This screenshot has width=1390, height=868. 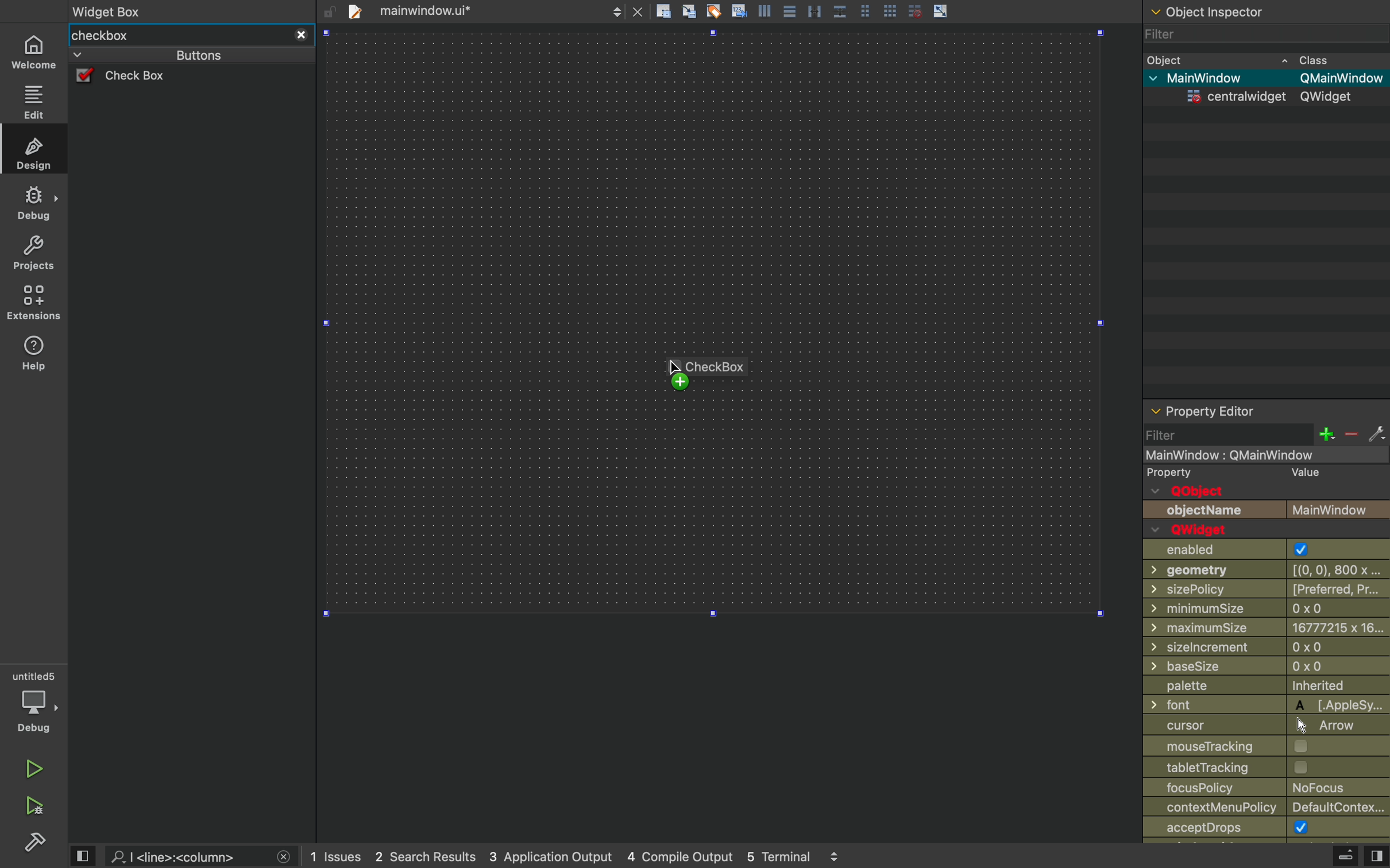 I want to click on settings, so click(x=1377, y=435).